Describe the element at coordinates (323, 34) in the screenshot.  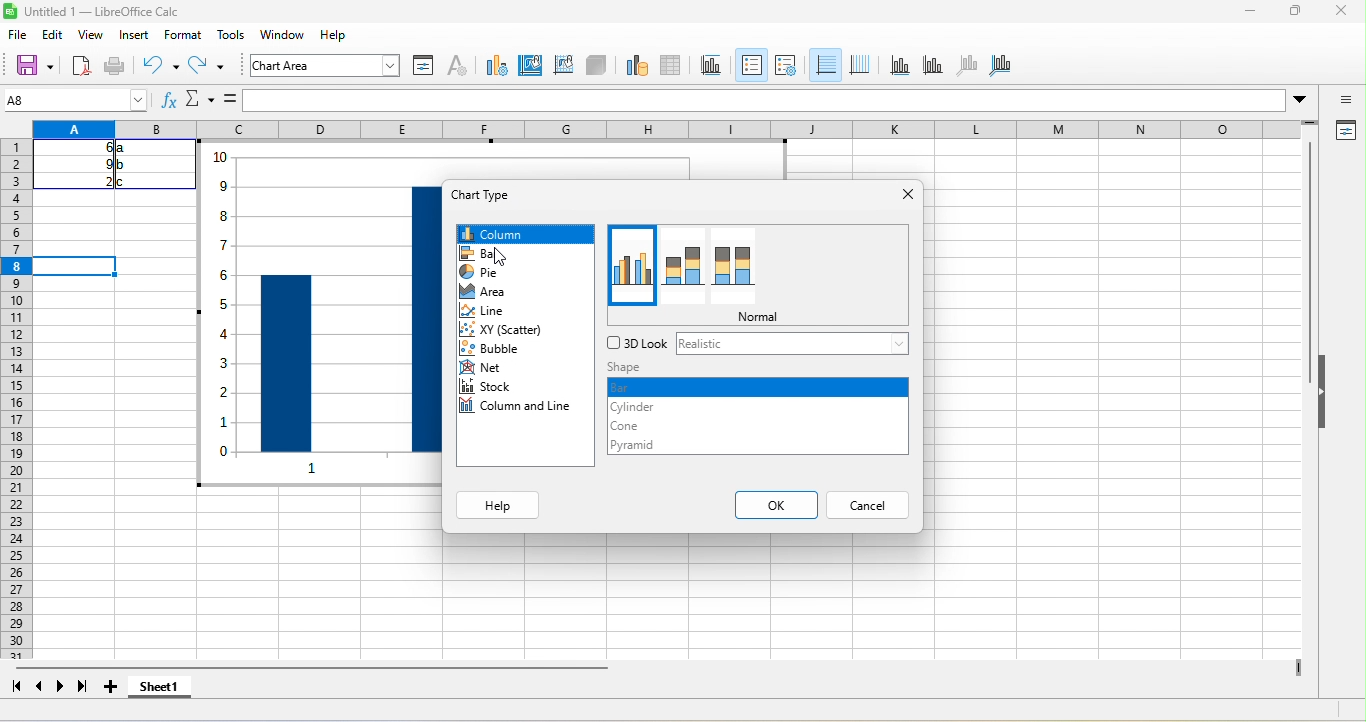
I see `data` at that location.